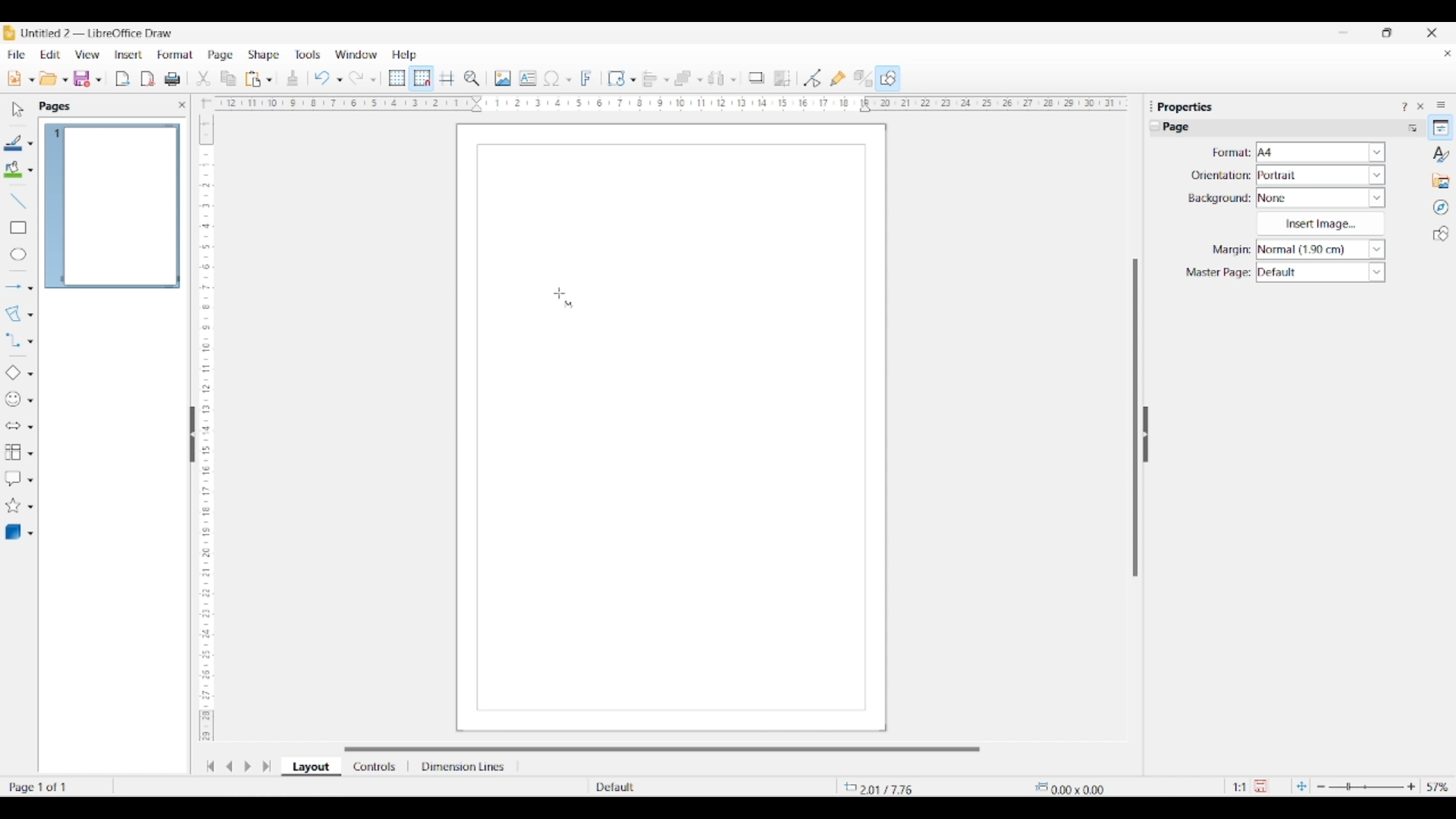 Image resolution: width=1456 pixels, height=819 pixels. I want to click on Print, so click(172, 79).